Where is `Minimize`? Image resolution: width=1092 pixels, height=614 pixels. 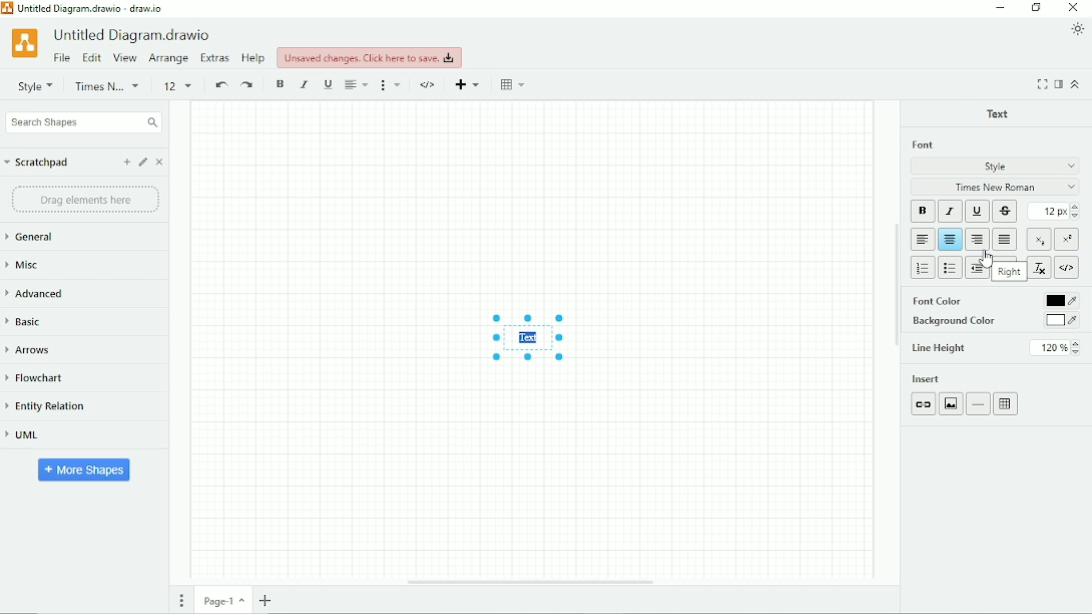
Minimize is located at coordinates (1002, 8).